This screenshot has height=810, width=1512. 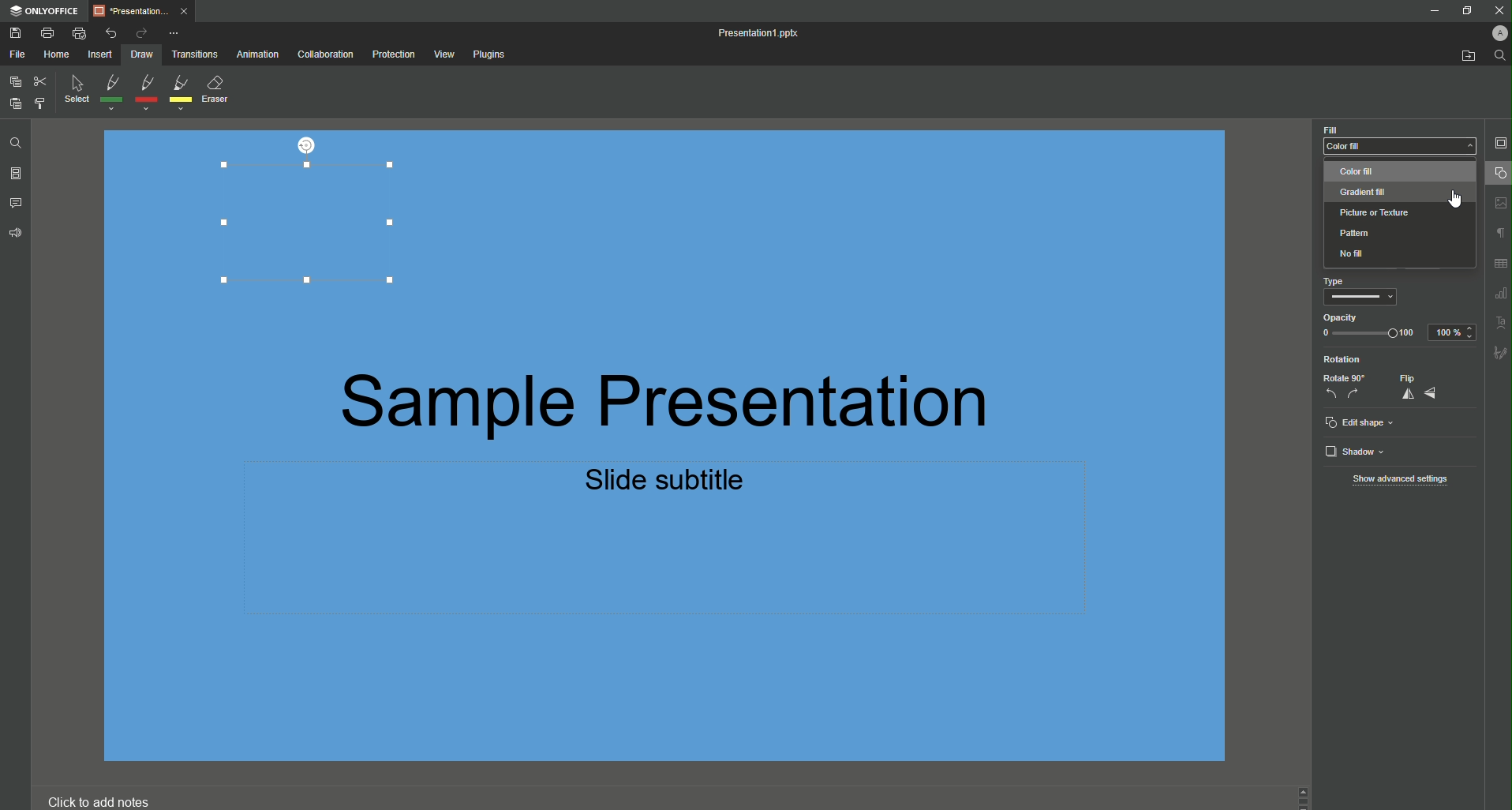 I want to click on Gradient Fill, so click(x=1366, y=191).